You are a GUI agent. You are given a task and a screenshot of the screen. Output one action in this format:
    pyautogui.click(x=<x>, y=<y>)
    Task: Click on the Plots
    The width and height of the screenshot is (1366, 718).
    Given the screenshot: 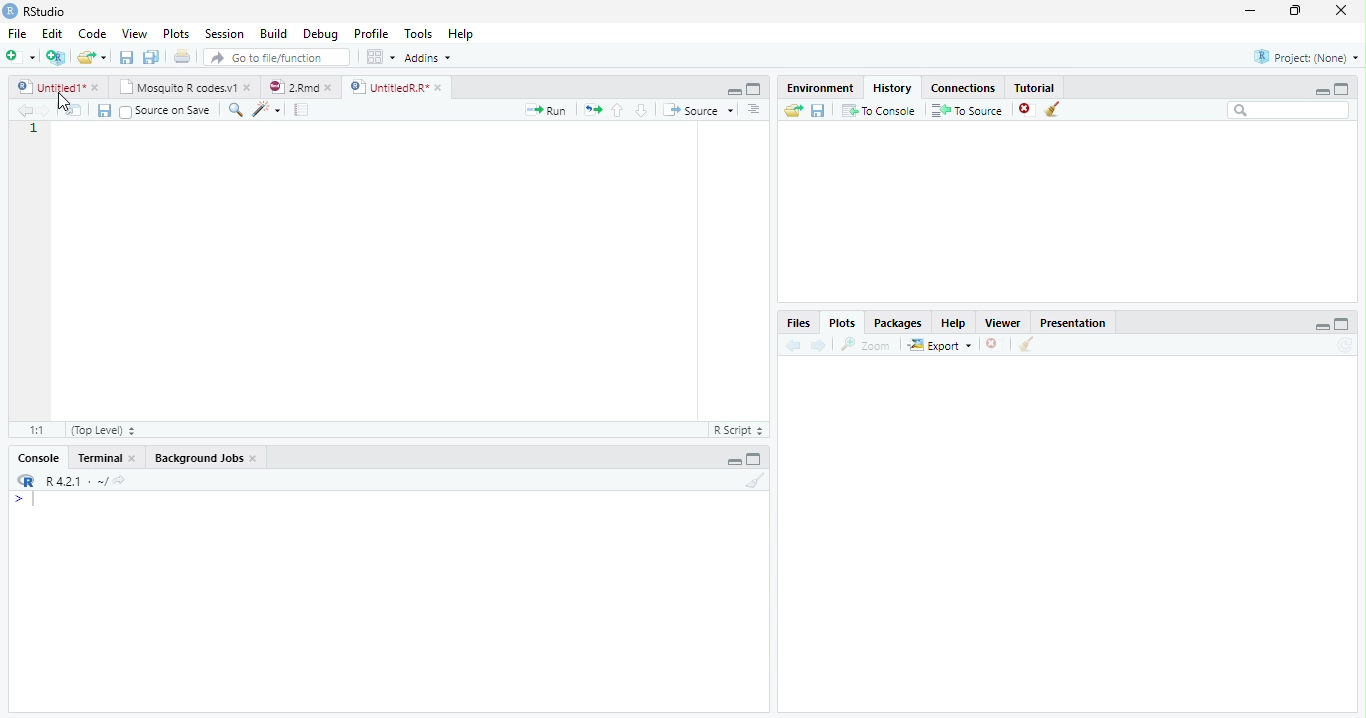 What is the action you would take?
    pyautogui.click(x=842, y=323)
    